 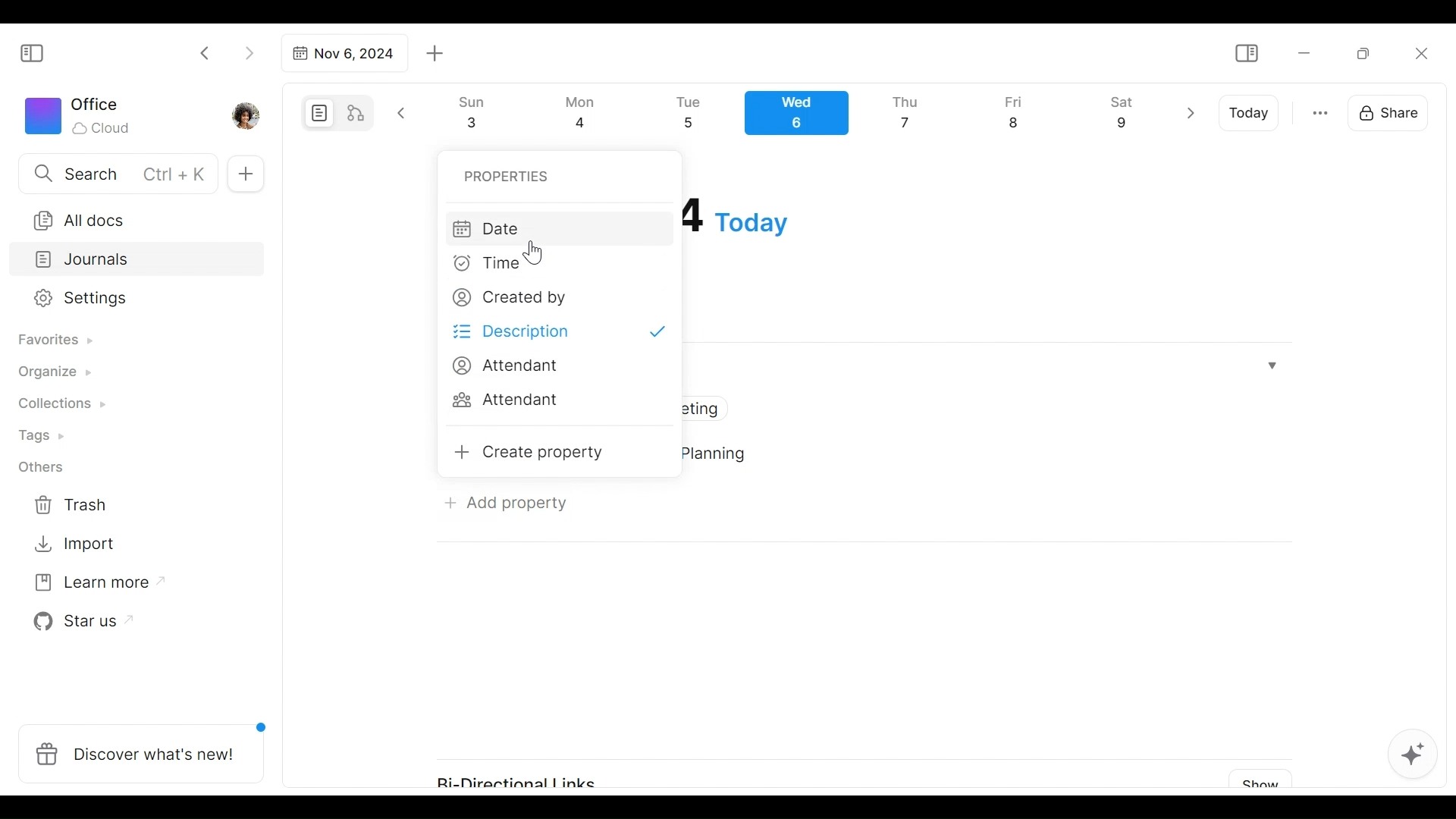 What do you see at coordinates (116, 173) in the screenshot?
I see `Search` at bounding box center [116, 173].